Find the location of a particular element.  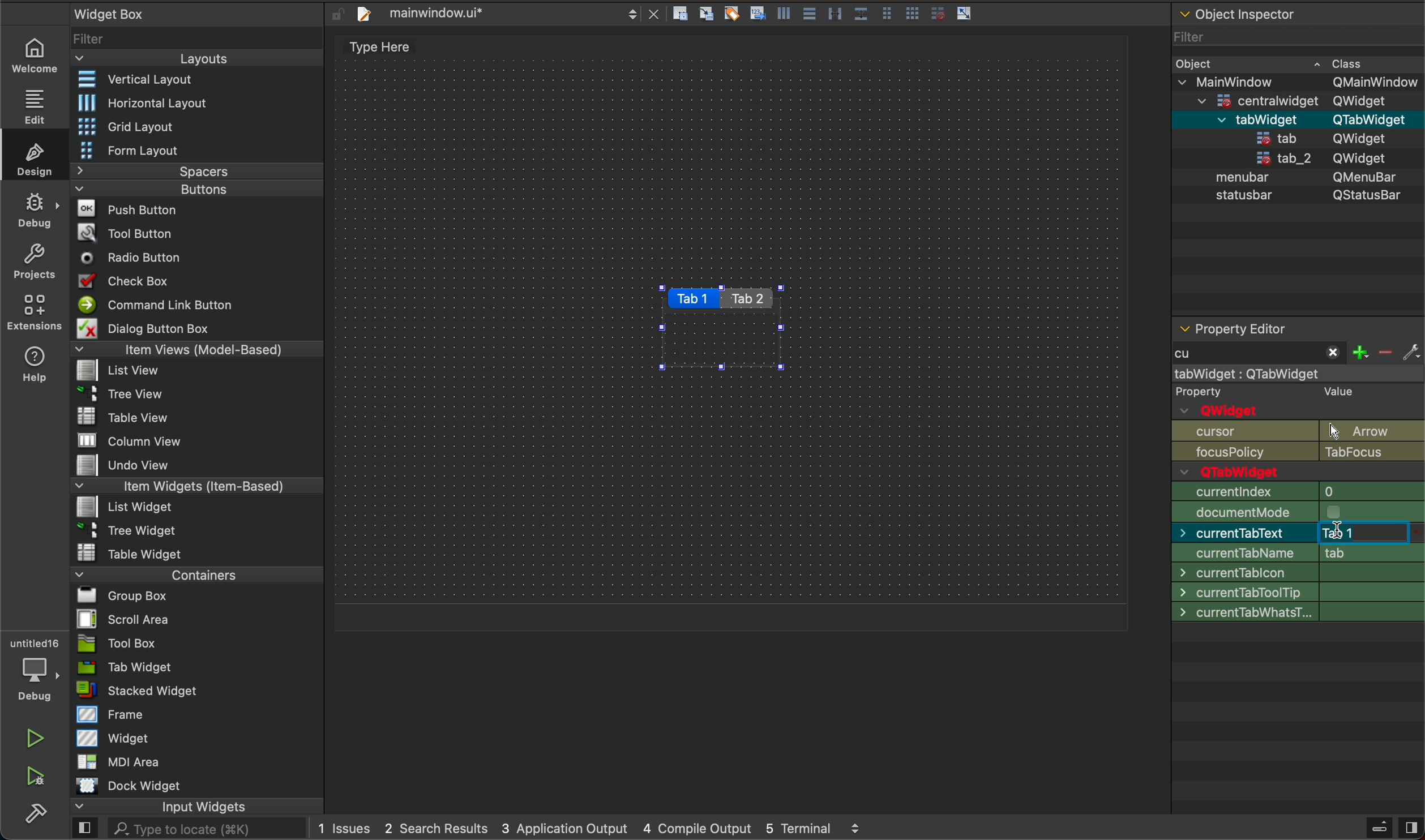

typing  is located at coordinates (1364, 535).